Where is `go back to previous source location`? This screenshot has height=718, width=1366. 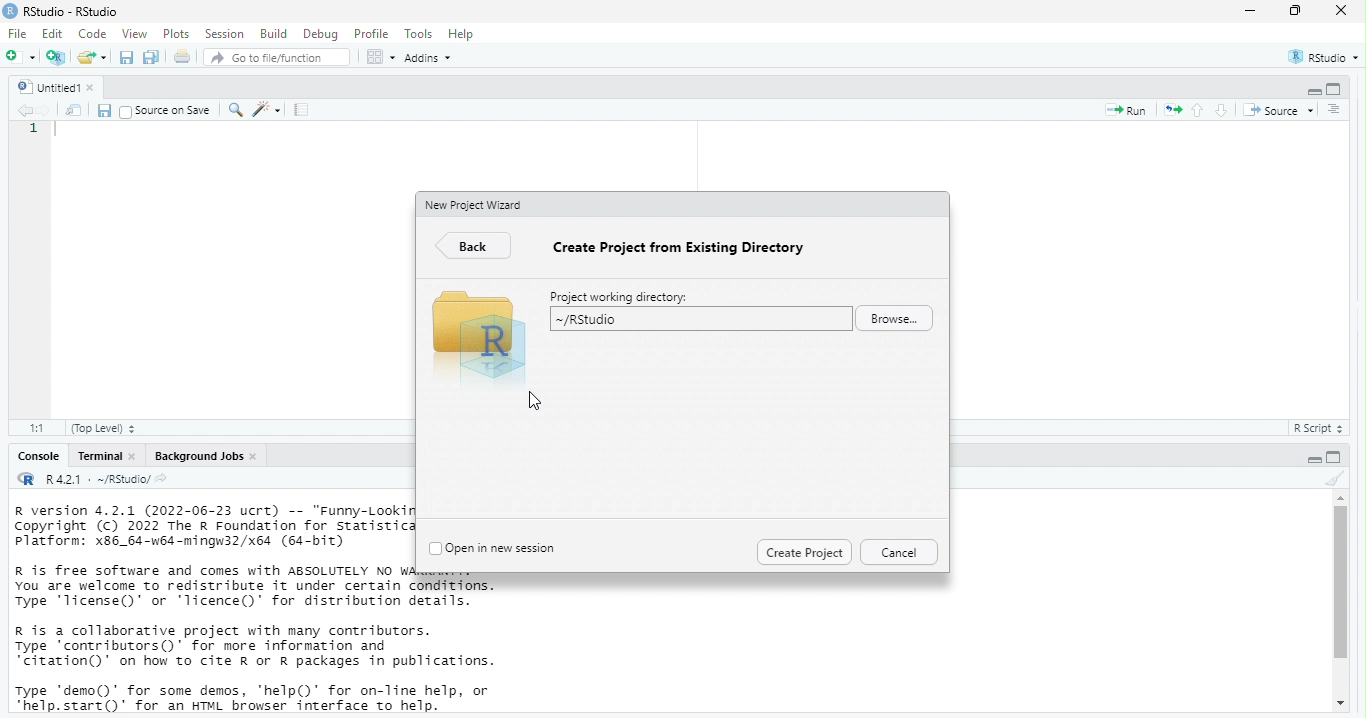 go back to previous source location is located at coordinates (18, 109).